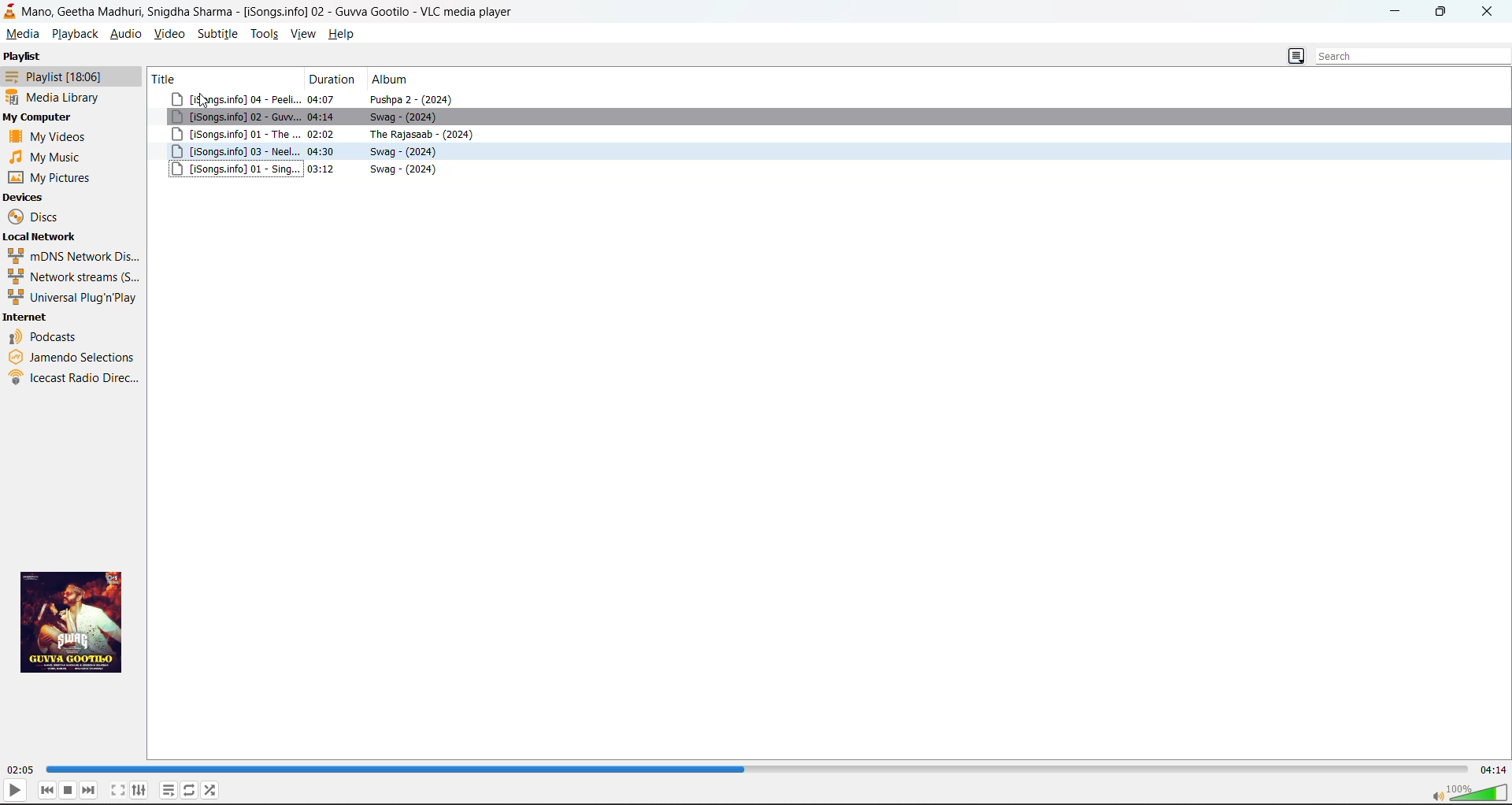 Image resolution: width=1512 pixels, height=805 pixels. What do you see at coordinates (75, 35) in the screenshot?
I see `playback` at bounding box center [75, 35].